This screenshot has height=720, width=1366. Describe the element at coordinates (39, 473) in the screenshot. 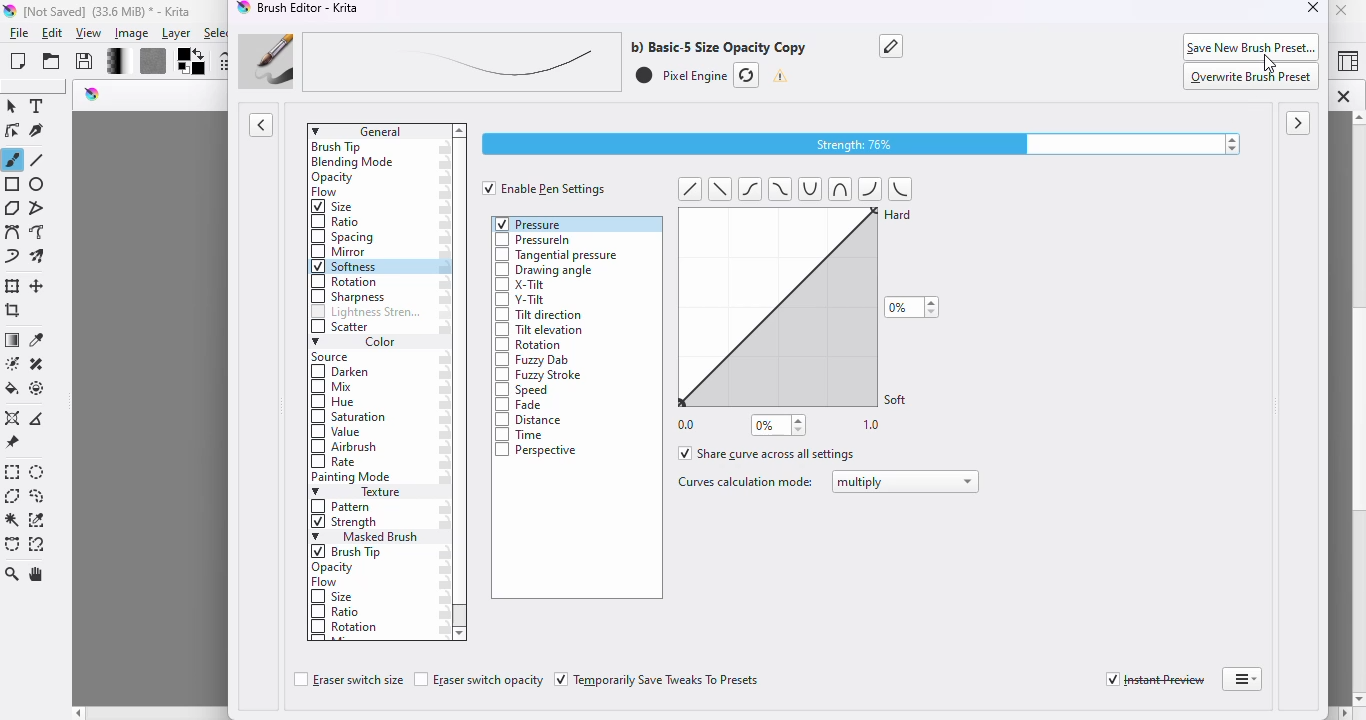

I see `elliptical selection tool` at that location.